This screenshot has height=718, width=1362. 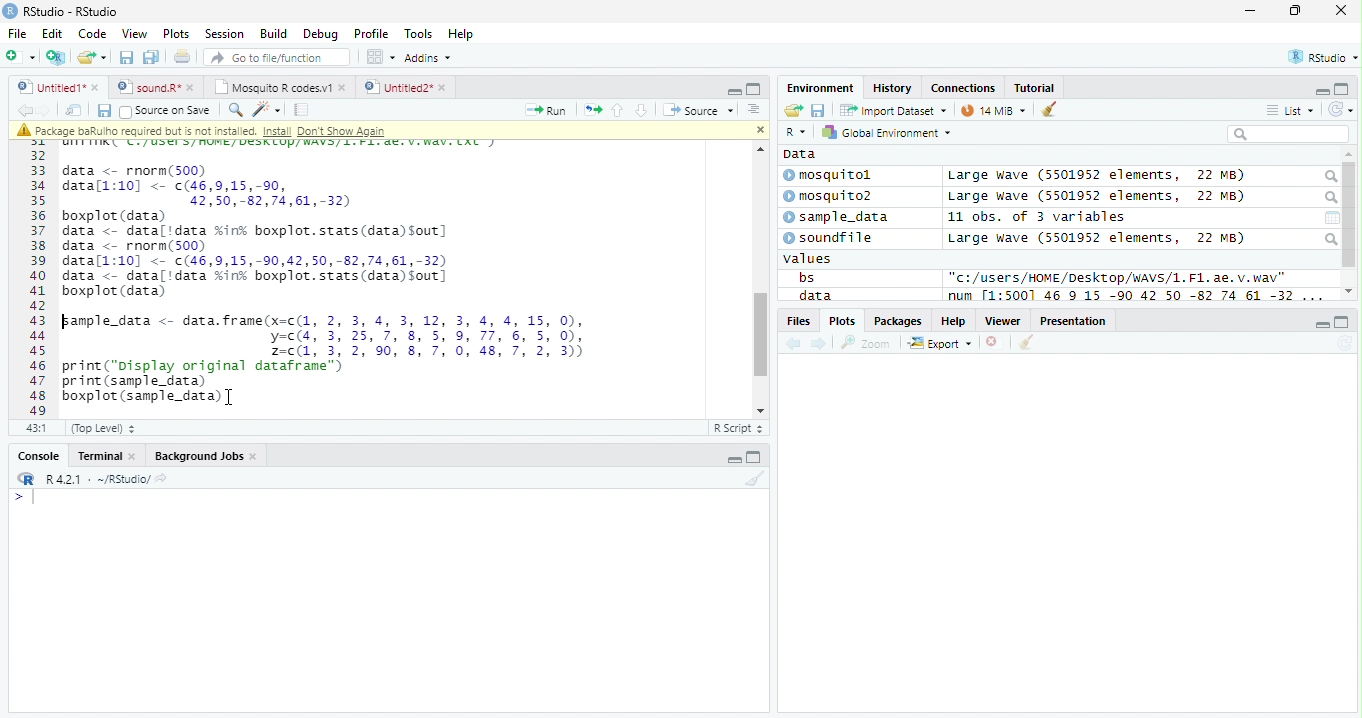 What do you see at coordinates (996, 342) in the screenshot?
I see `delete file` at bounding box center [996, 342].